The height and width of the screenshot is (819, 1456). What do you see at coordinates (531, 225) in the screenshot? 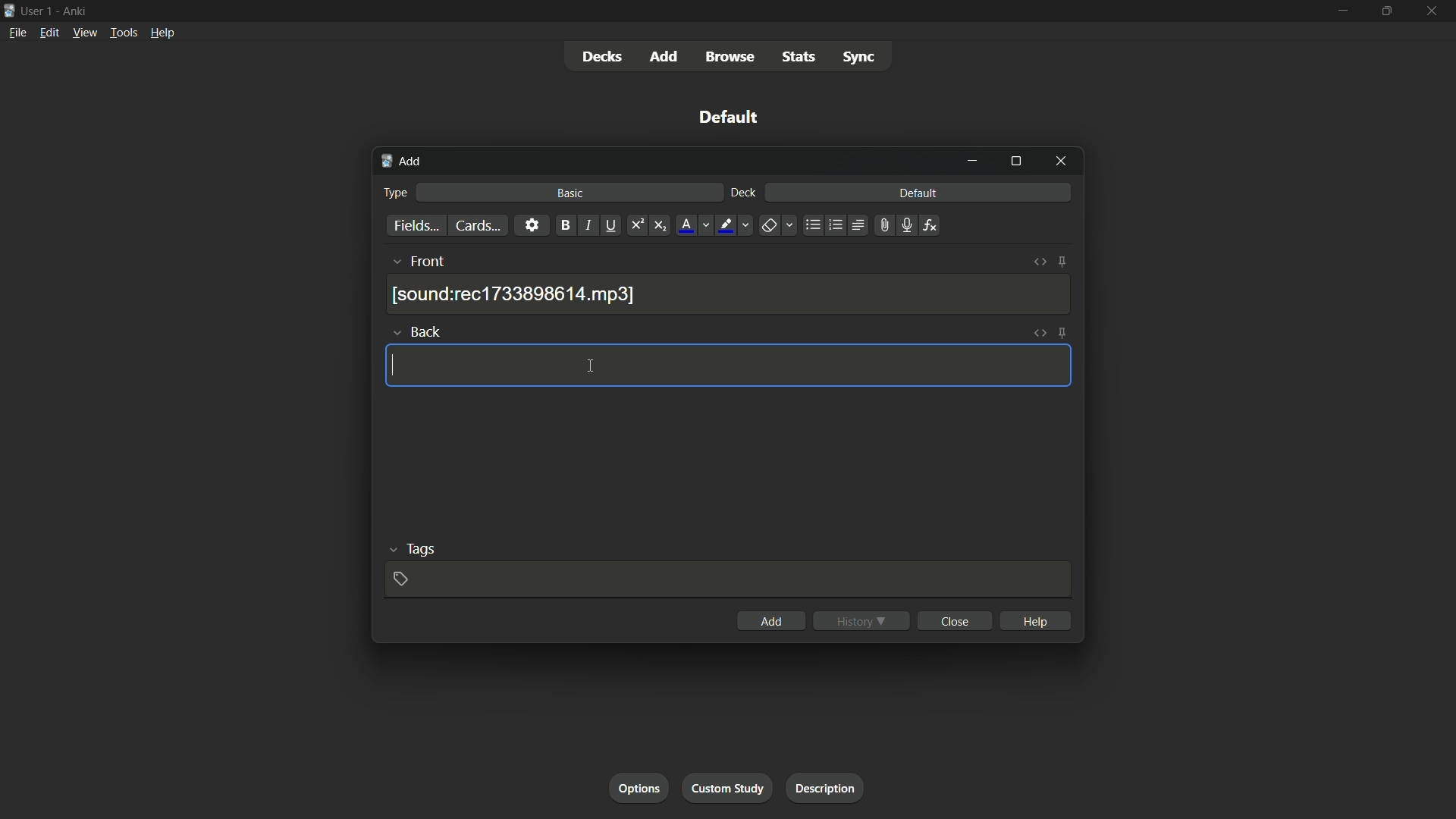
I see `settings` at bounding box center [531, 225].